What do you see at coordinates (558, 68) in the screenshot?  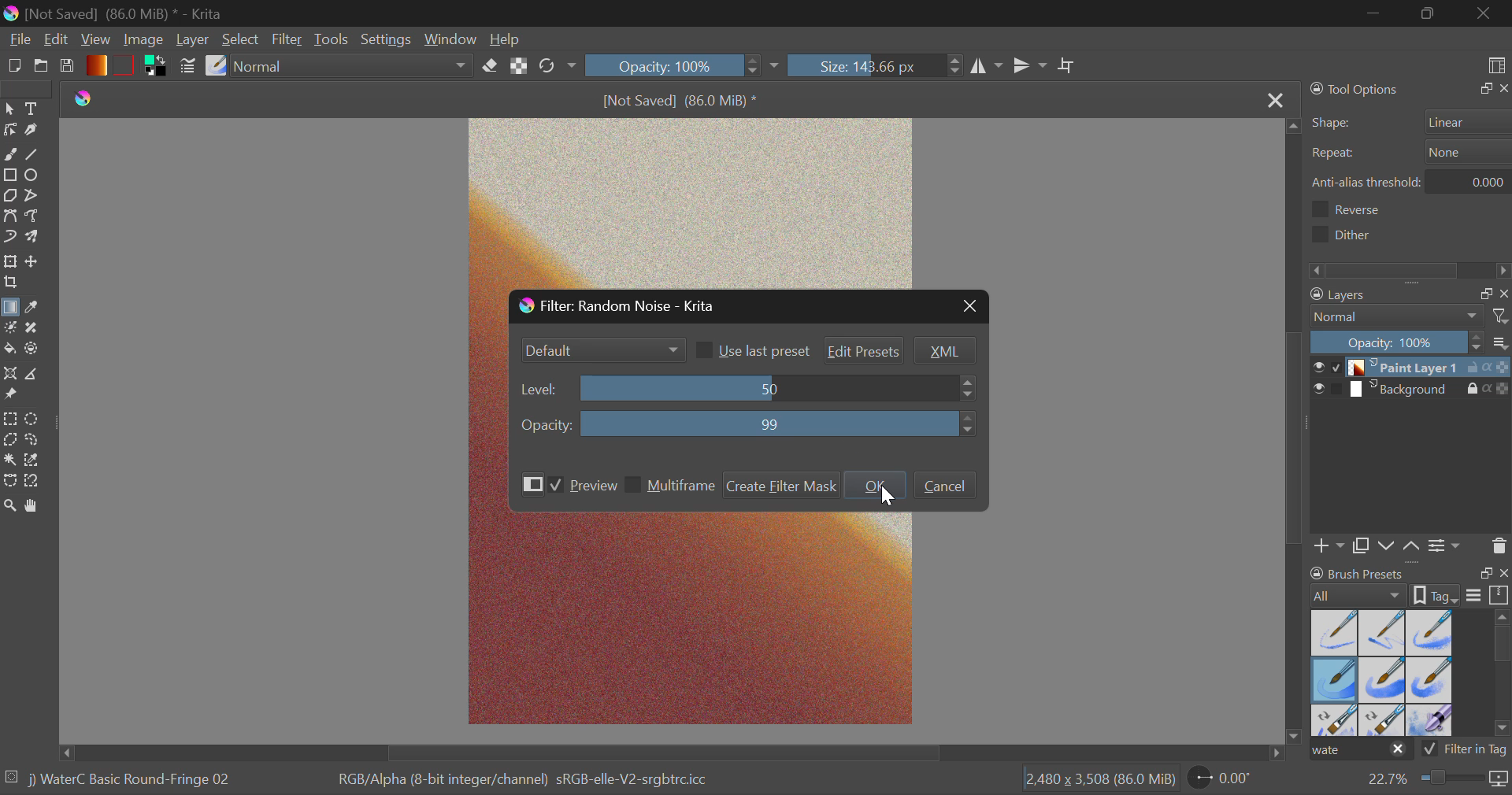 I see `Refresh` at bounding box center [558, 68].